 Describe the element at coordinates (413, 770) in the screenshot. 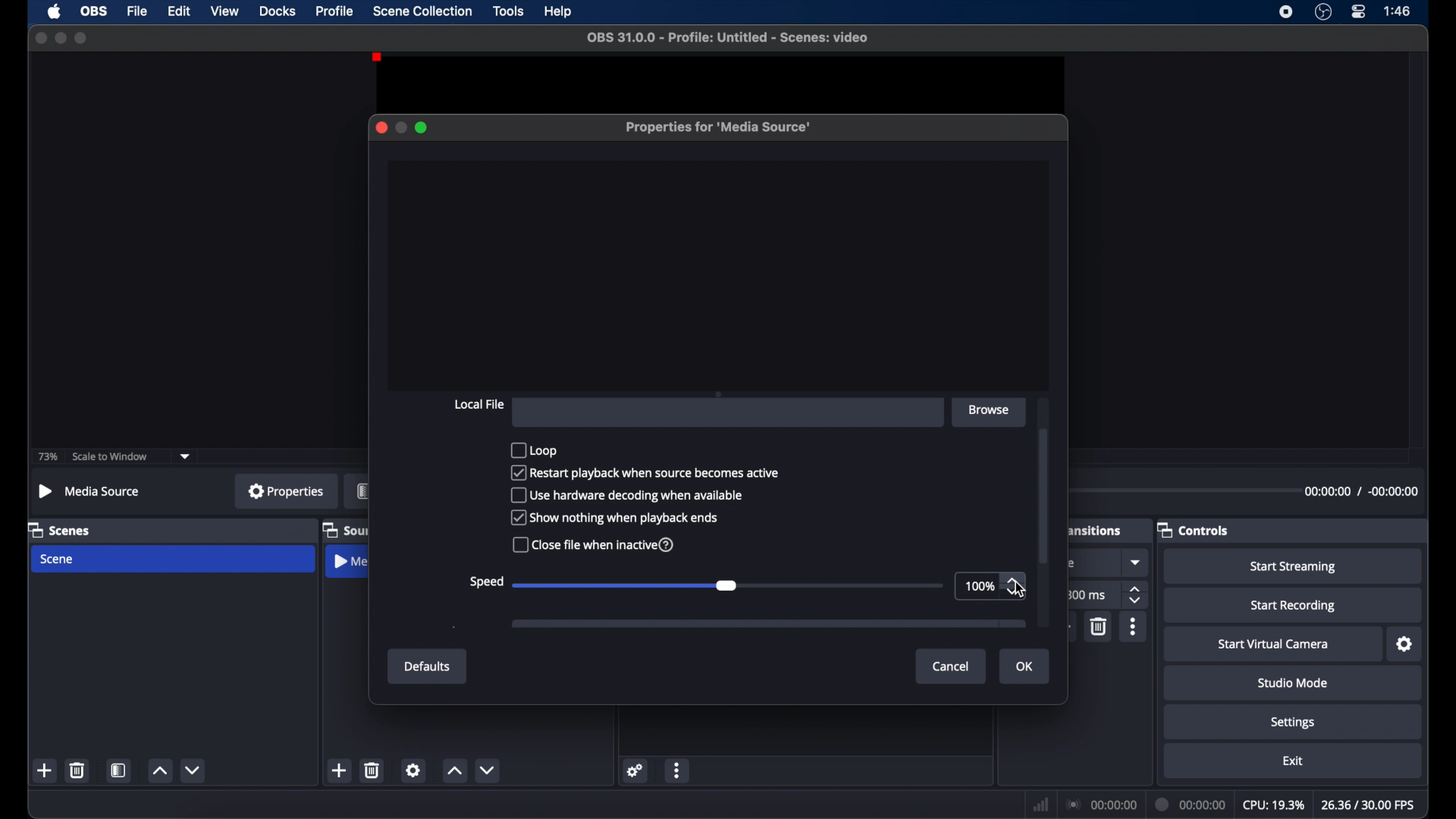

I see `settings` at that location.